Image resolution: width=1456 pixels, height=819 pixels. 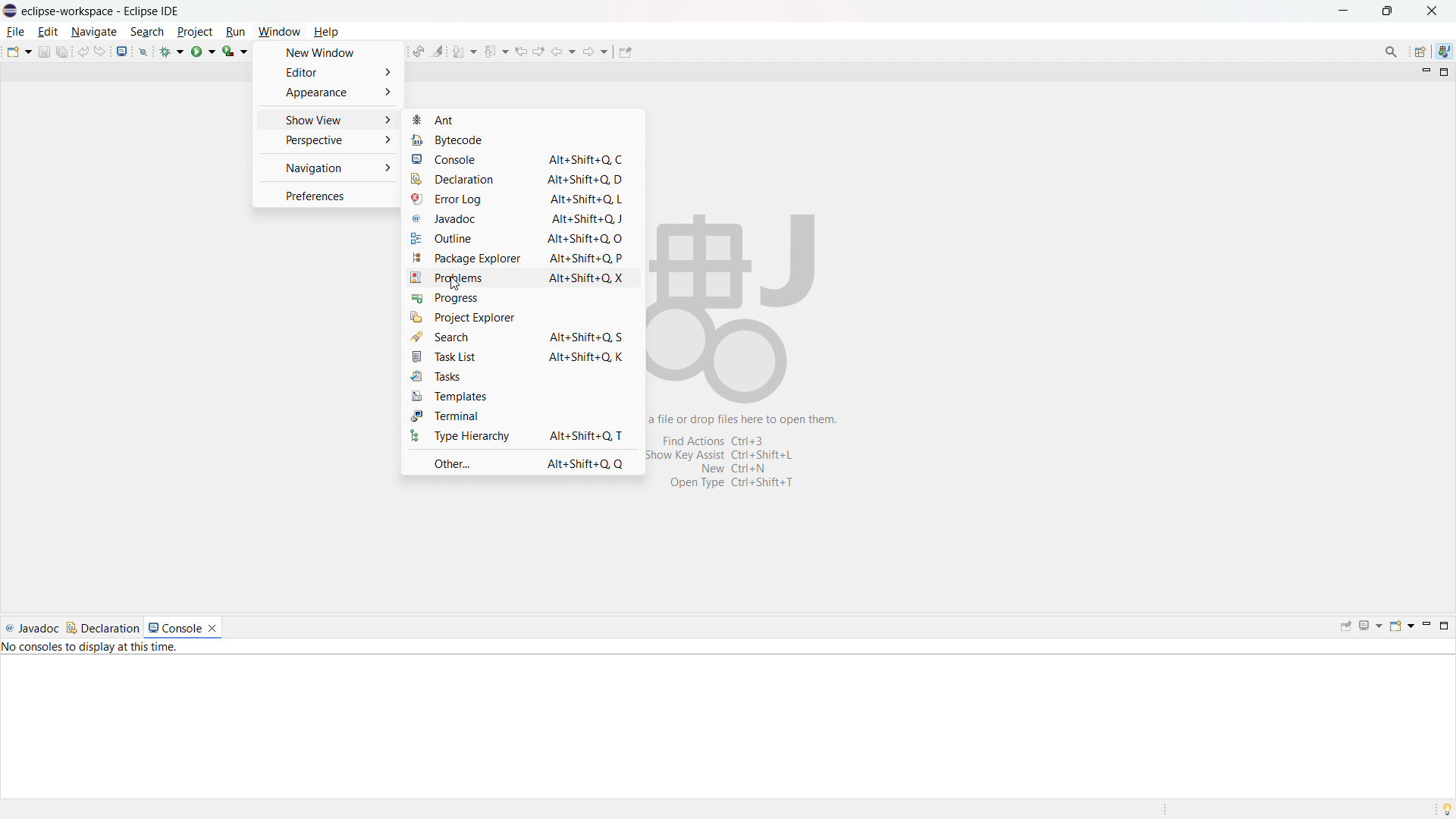 I want to click on save, so click(x=43, y=52).